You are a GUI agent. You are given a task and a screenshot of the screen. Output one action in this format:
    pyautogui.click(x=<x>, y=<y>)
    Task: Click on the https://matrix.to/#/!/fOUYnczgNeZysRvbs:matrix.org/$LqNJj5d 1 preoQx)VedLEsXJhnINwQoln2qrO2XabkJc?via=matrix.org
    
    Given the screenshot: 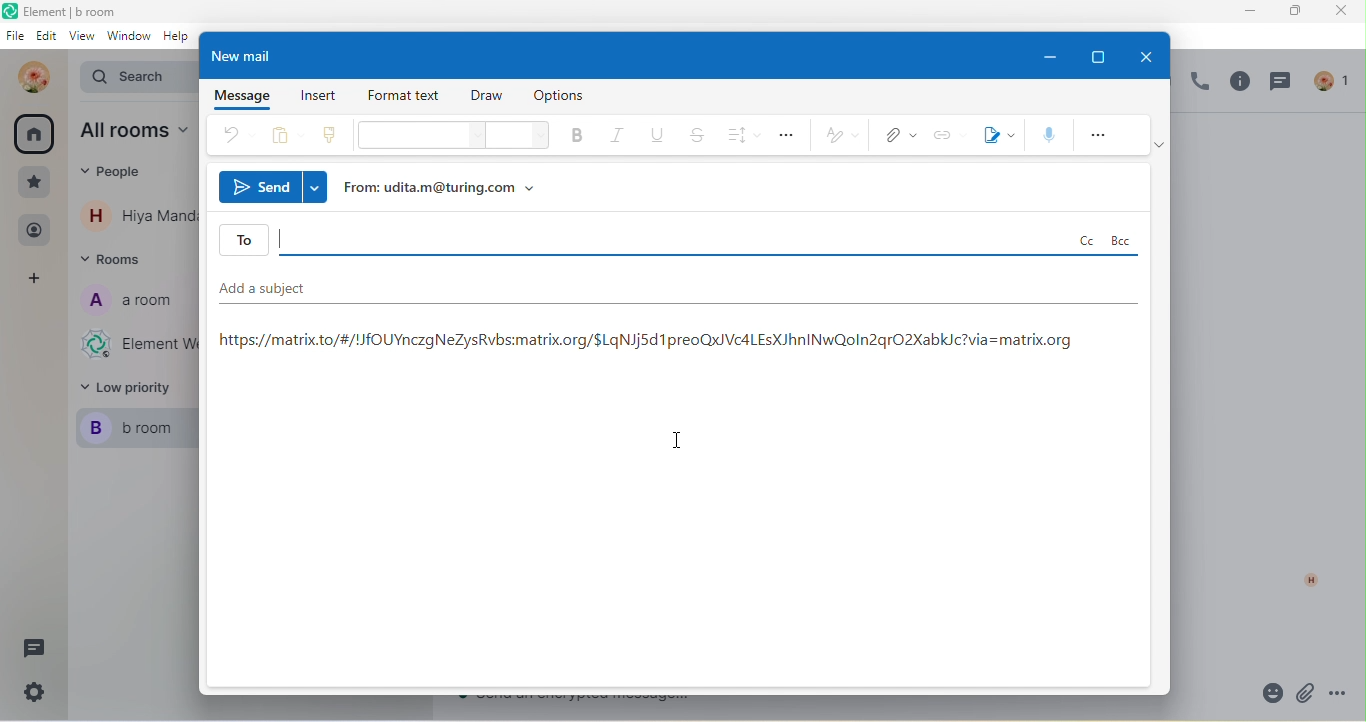 What is the action you would take?
    pyautogui.click(x=651, y=343)
    